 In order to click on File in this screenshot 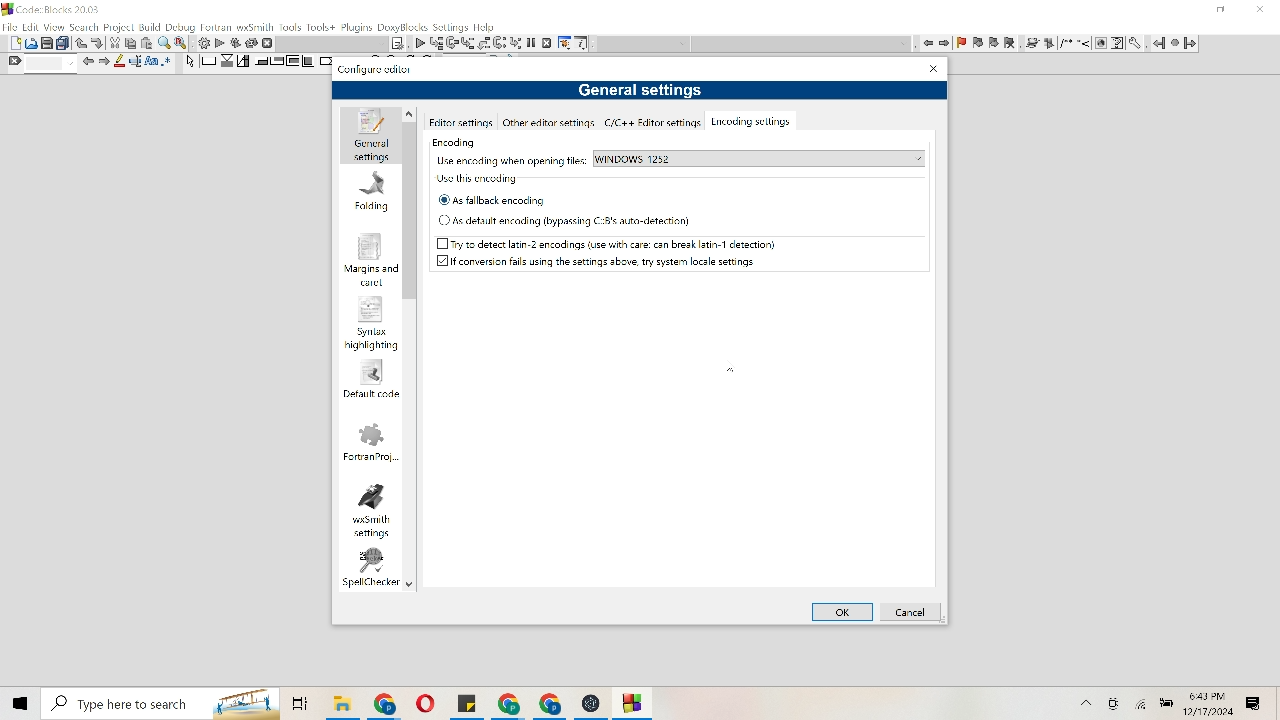, I will do `click(508, 703)`.